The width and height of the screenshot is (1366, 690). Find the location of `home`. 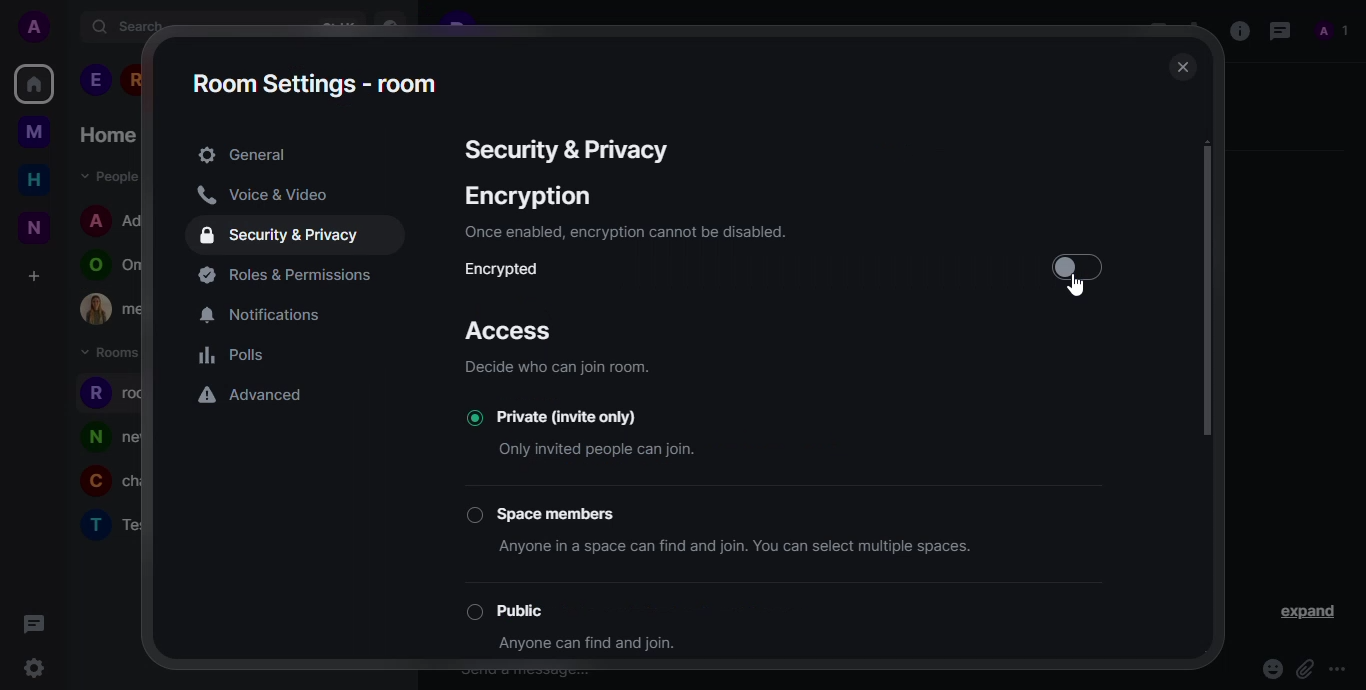

home is located at coordinates (107, 135).